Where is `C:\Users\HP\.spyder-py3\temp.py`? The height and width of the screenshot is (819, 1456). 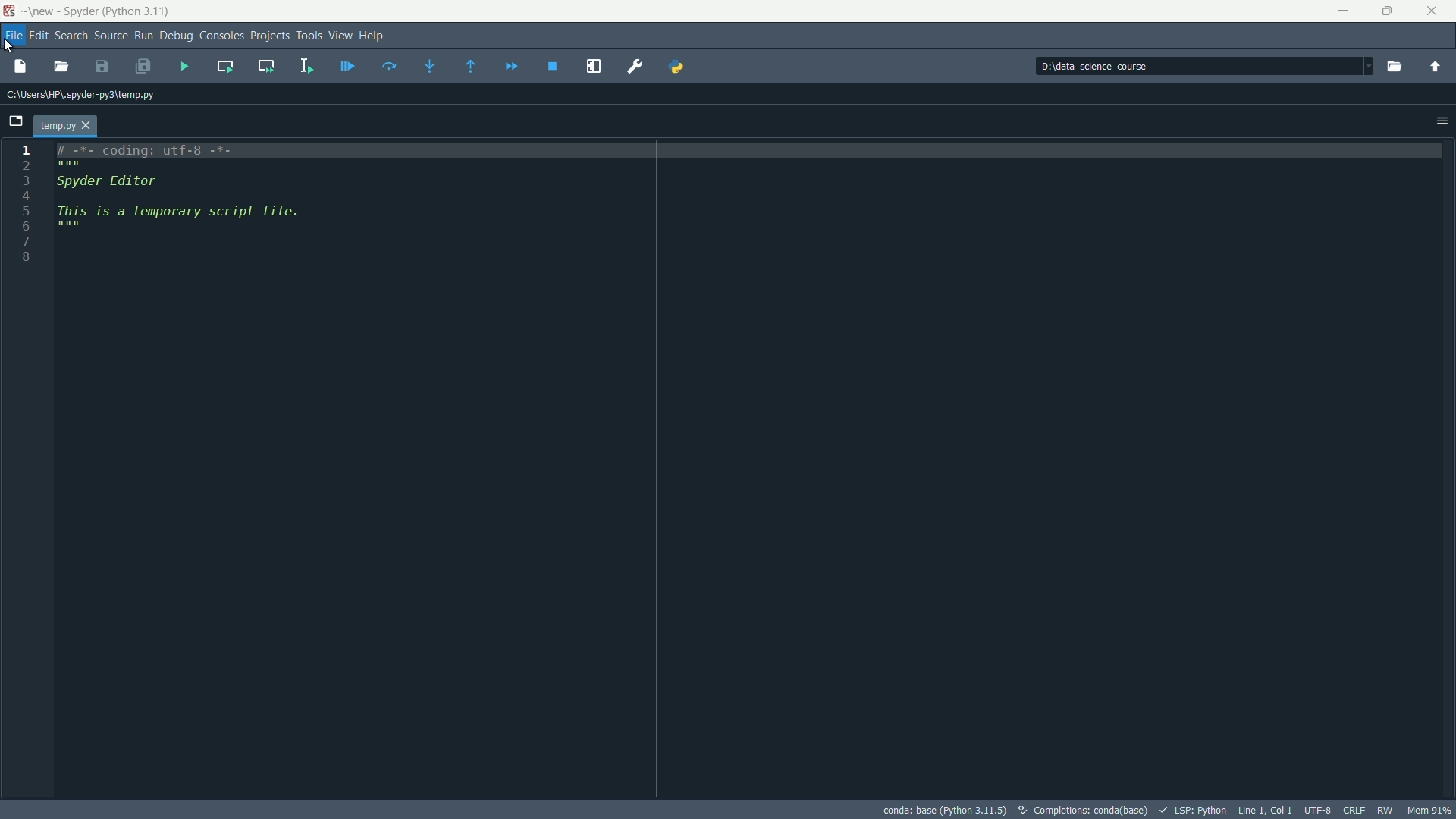
C:\Users\HP\.spyder-py3\temp.py is located at coordinates (93, 96).